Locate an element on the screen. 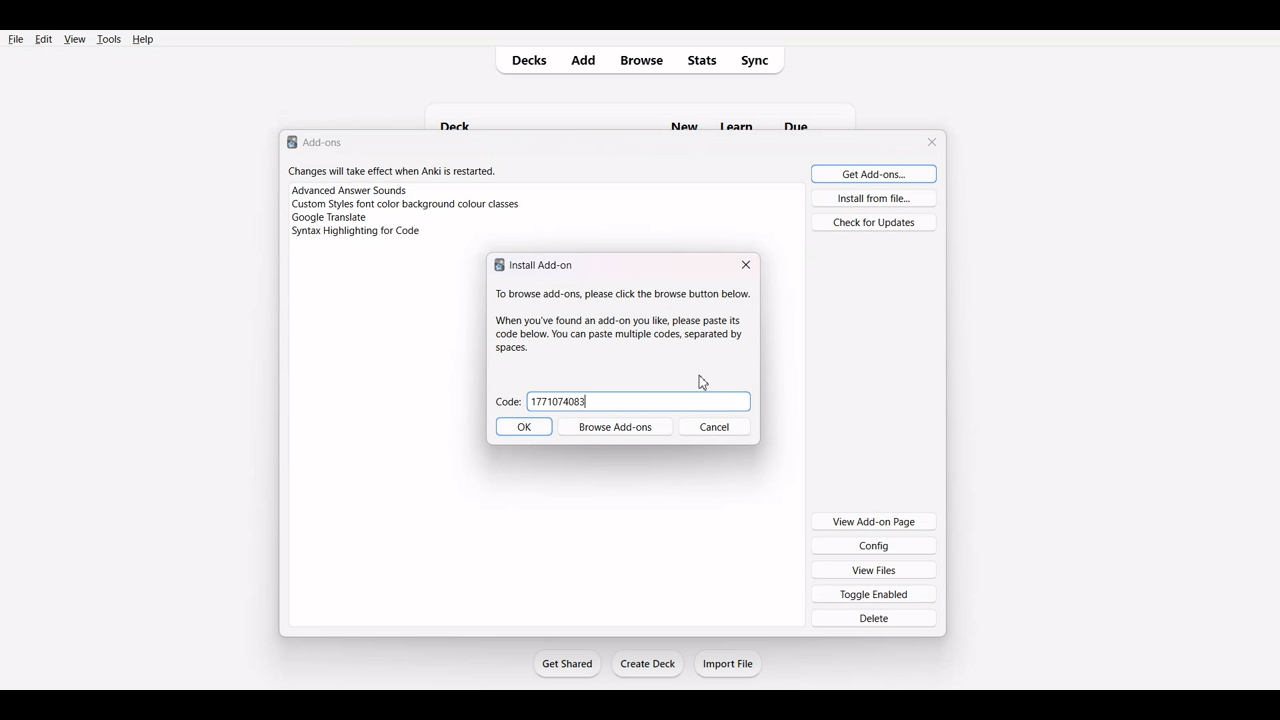  Number is located at coordinates (560, 401).